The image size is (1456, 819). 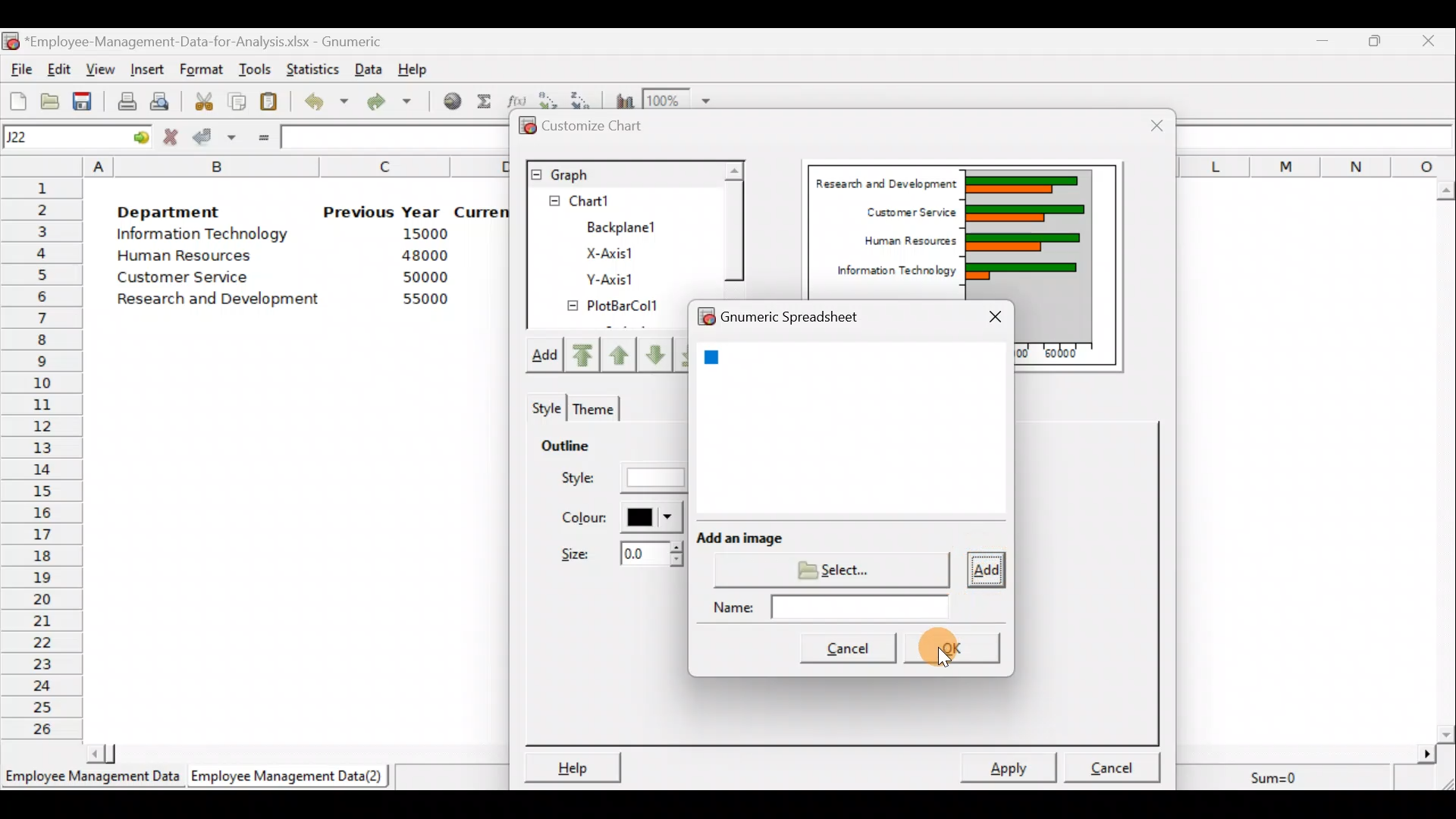 I want to click on Statistics, so click(x=314, y=65).